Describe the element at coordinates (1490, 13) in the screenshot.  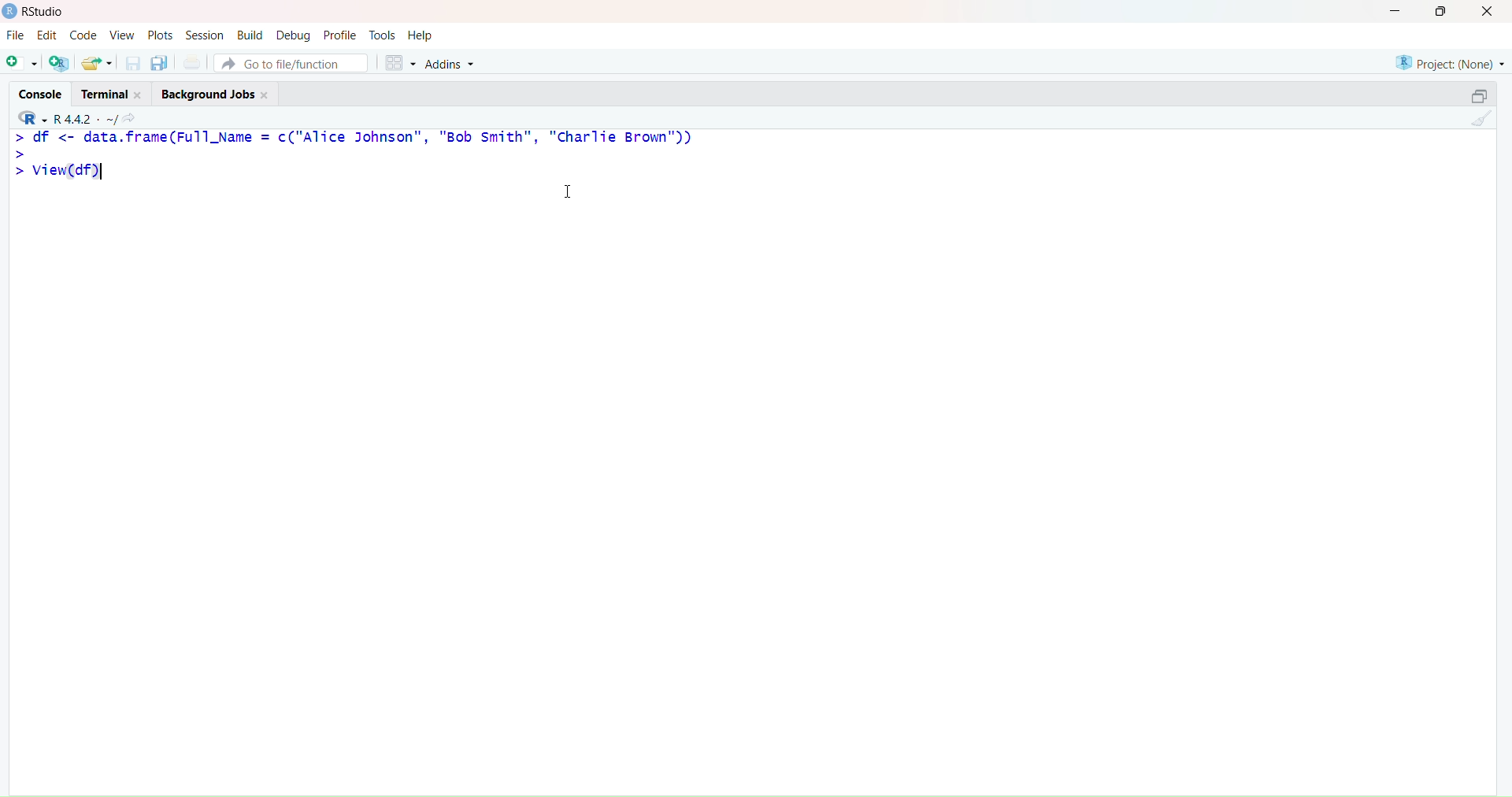
I see `Close` at that location.